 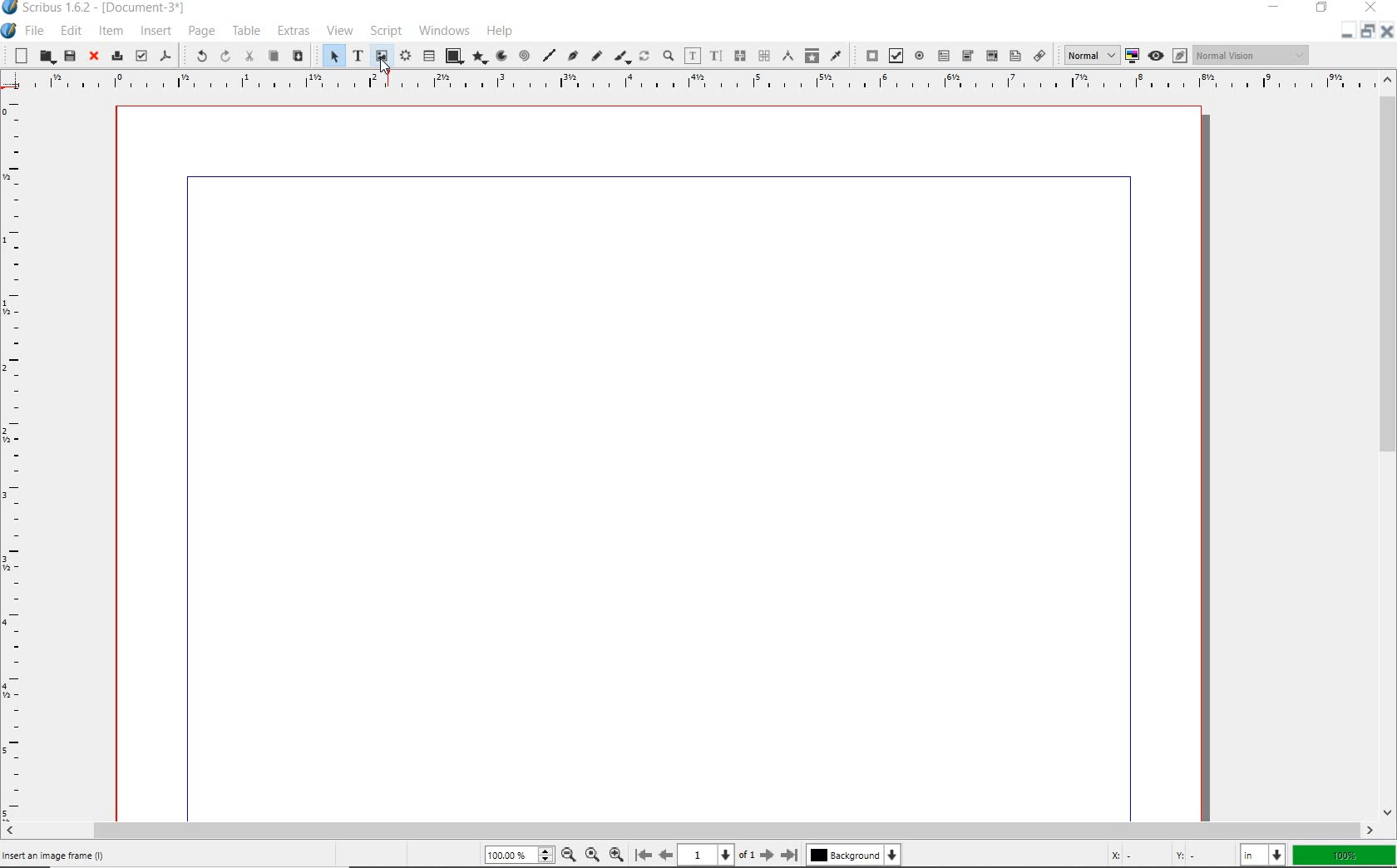 I want to click on spiral, so click(x=523, y=57).